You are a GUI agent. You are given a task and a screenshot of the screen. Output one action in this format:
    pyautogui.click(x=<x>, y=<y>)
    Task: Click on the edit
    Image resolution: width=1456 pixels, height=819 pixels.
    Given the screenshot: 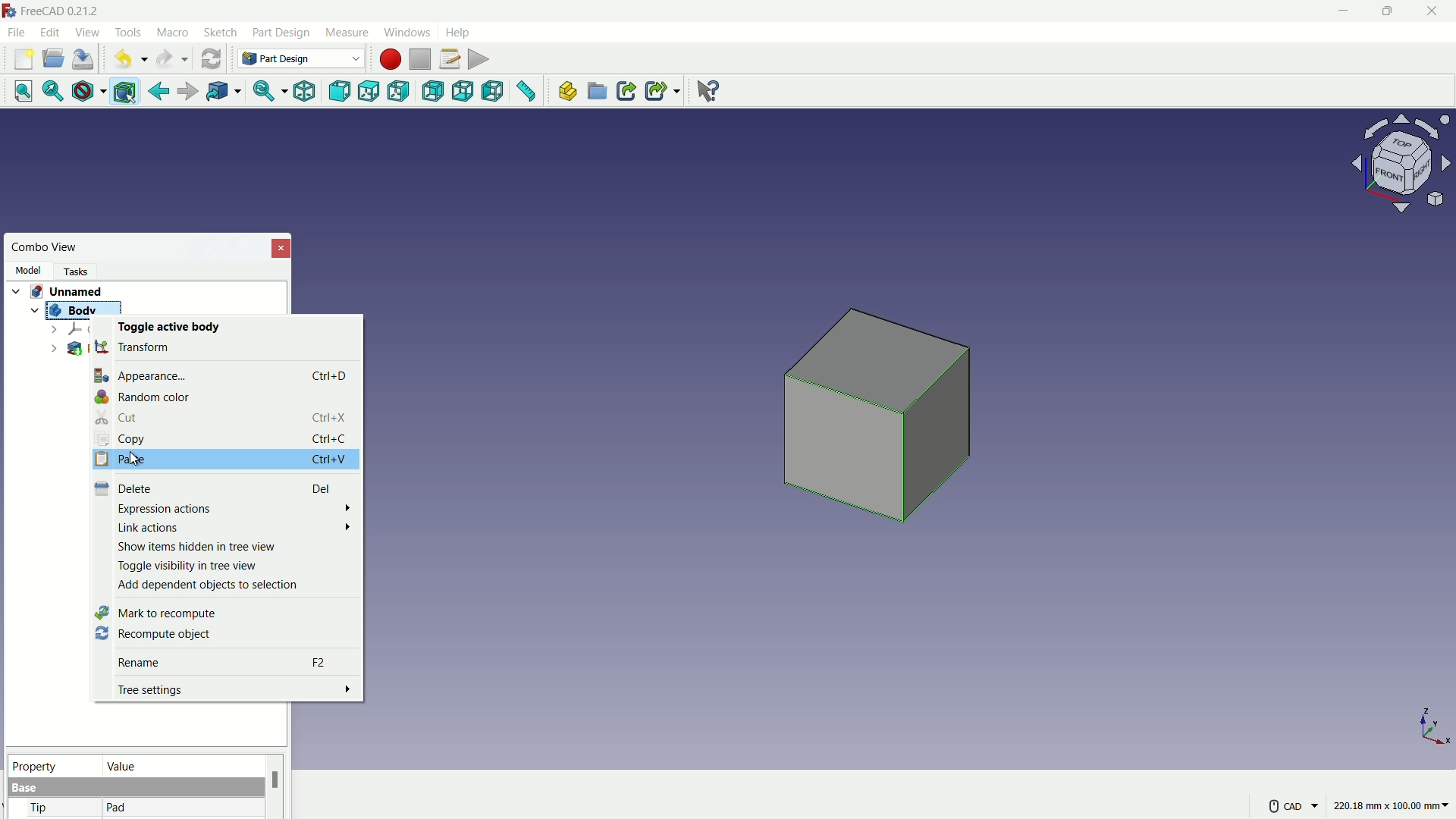 What is the action you would take?
    pyautogui.click(x=52, y=32)
    